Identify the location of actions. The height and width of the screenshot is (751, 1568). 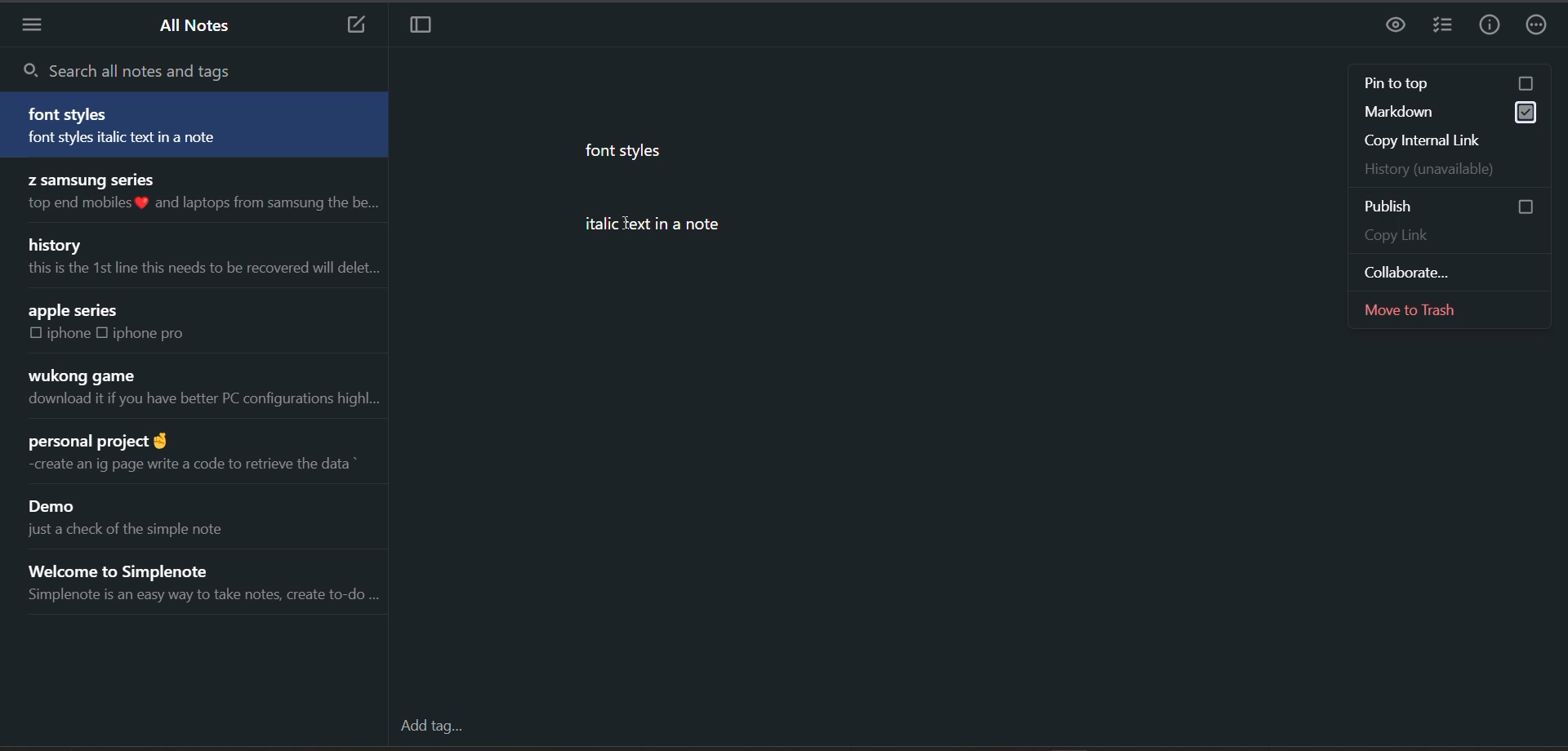
(1541, 23).